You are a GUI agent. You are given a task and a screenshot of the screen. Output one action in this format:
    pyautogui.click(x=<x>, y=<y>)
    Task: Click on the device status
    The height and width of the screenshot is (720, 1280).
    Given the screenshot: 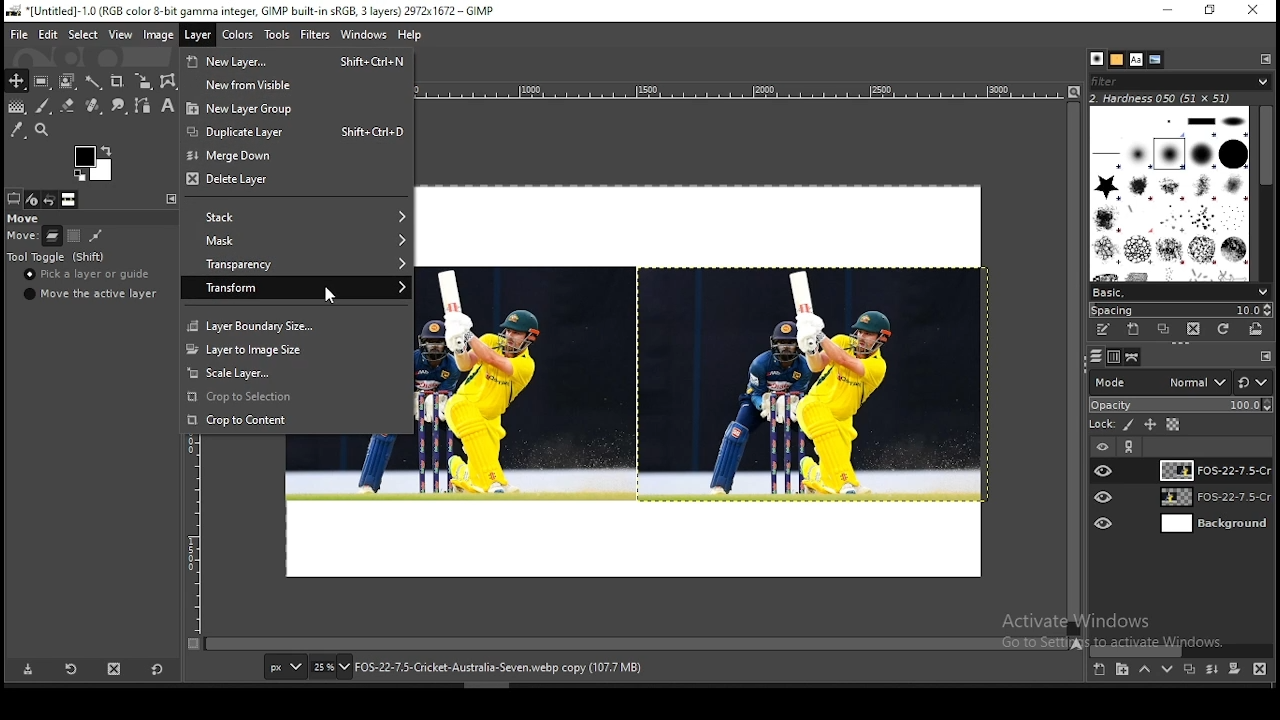 What is the action you would take?
    pyautogui.click(x=33, y=199)
    